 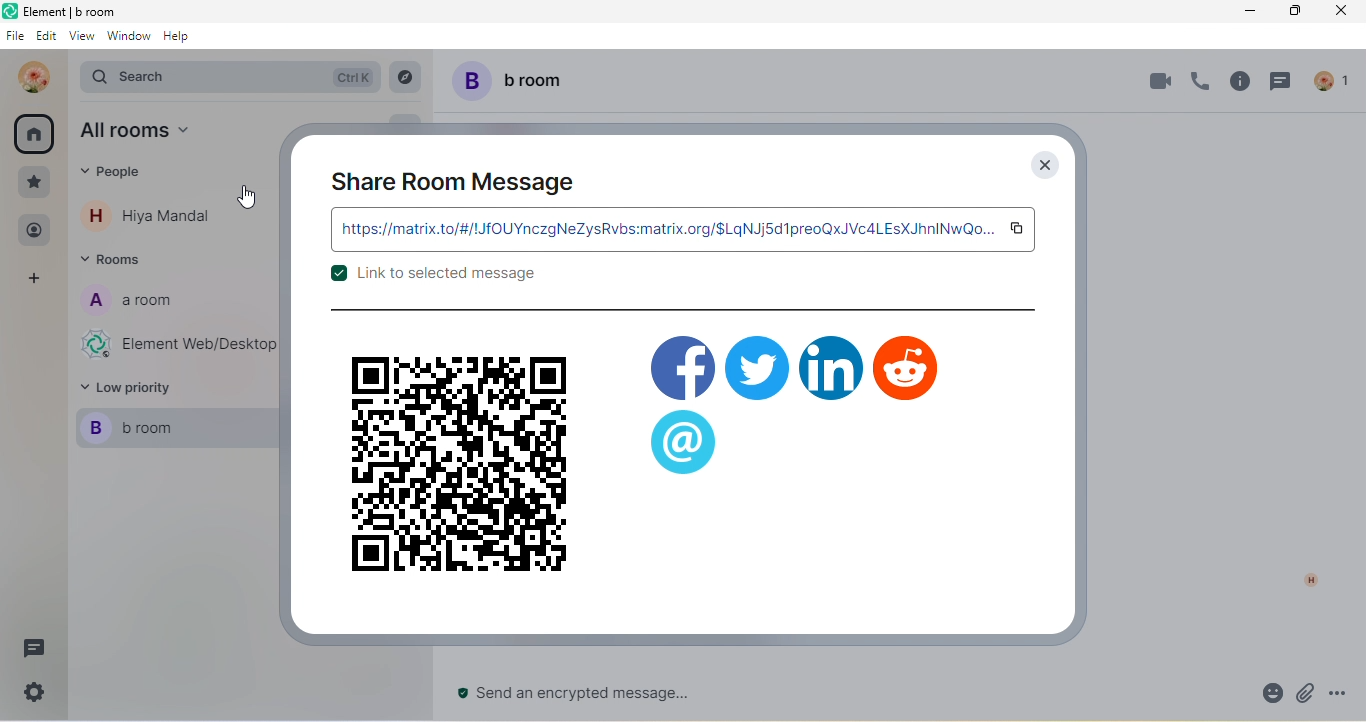 What do you see at coordinates (1197, 85) in the screenshot?
I see `voice call` at bounding box center [1197, 85].